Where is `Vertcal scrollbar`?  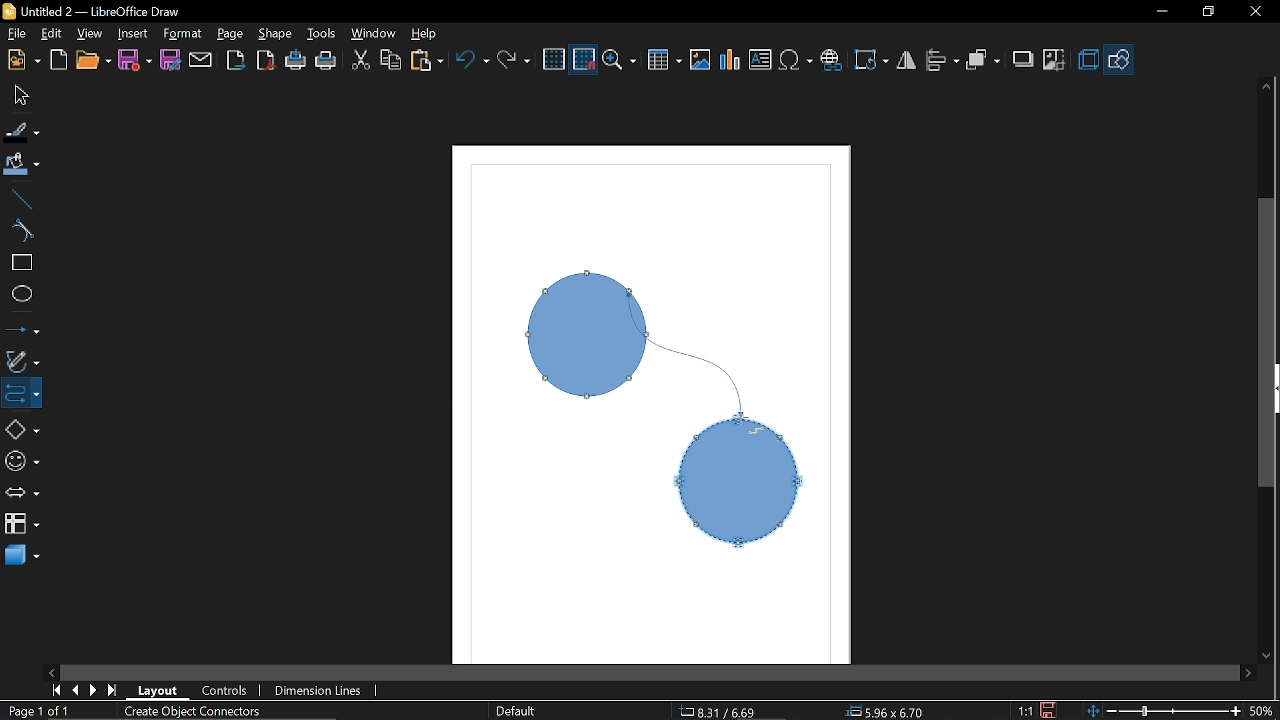 Vertcal scrollbar is located at coordinates (1268, 346).